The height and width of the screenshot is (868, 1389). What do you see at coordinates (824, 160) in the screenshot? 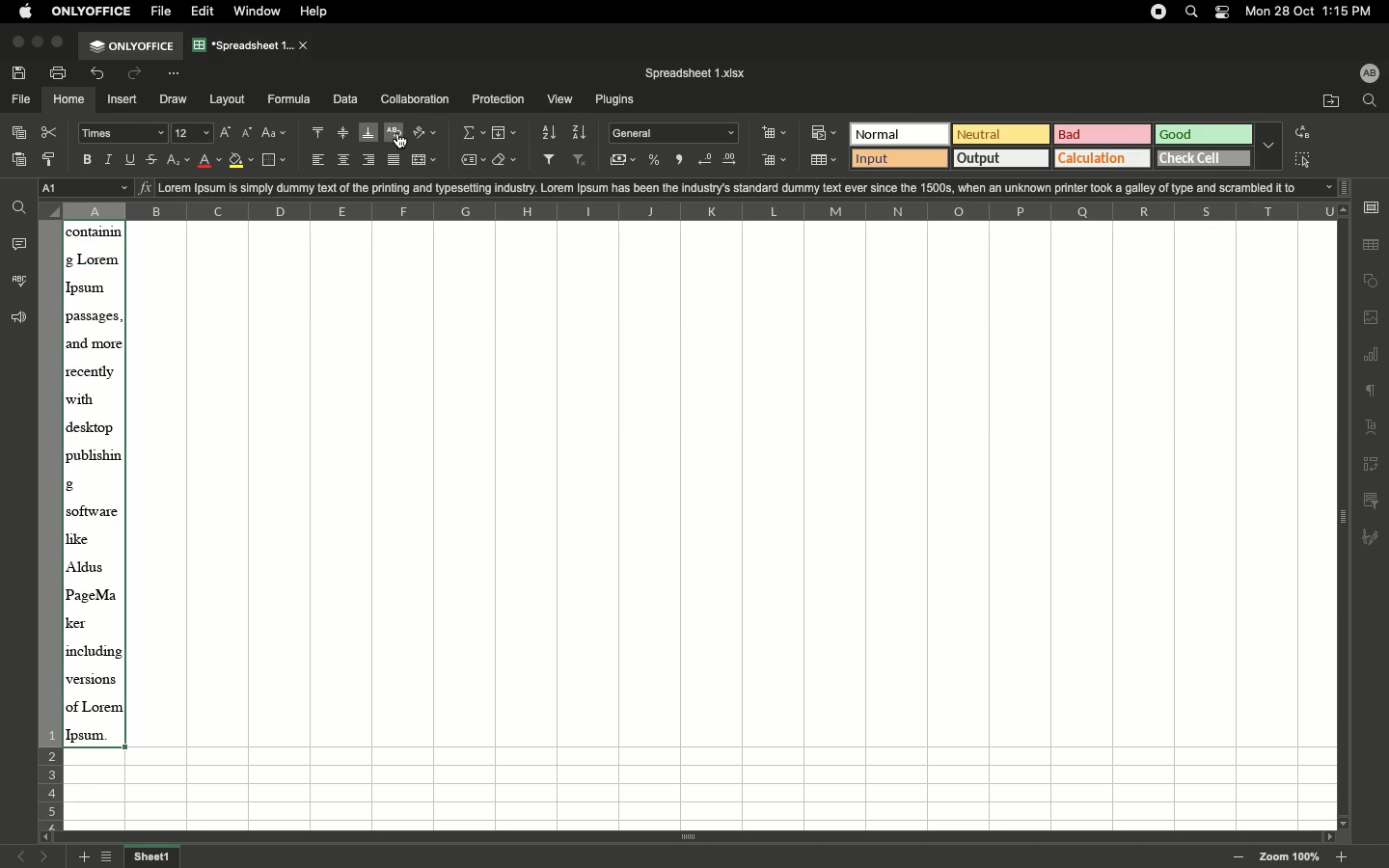
I see `Format as table template` at bounding box center [824, 160].